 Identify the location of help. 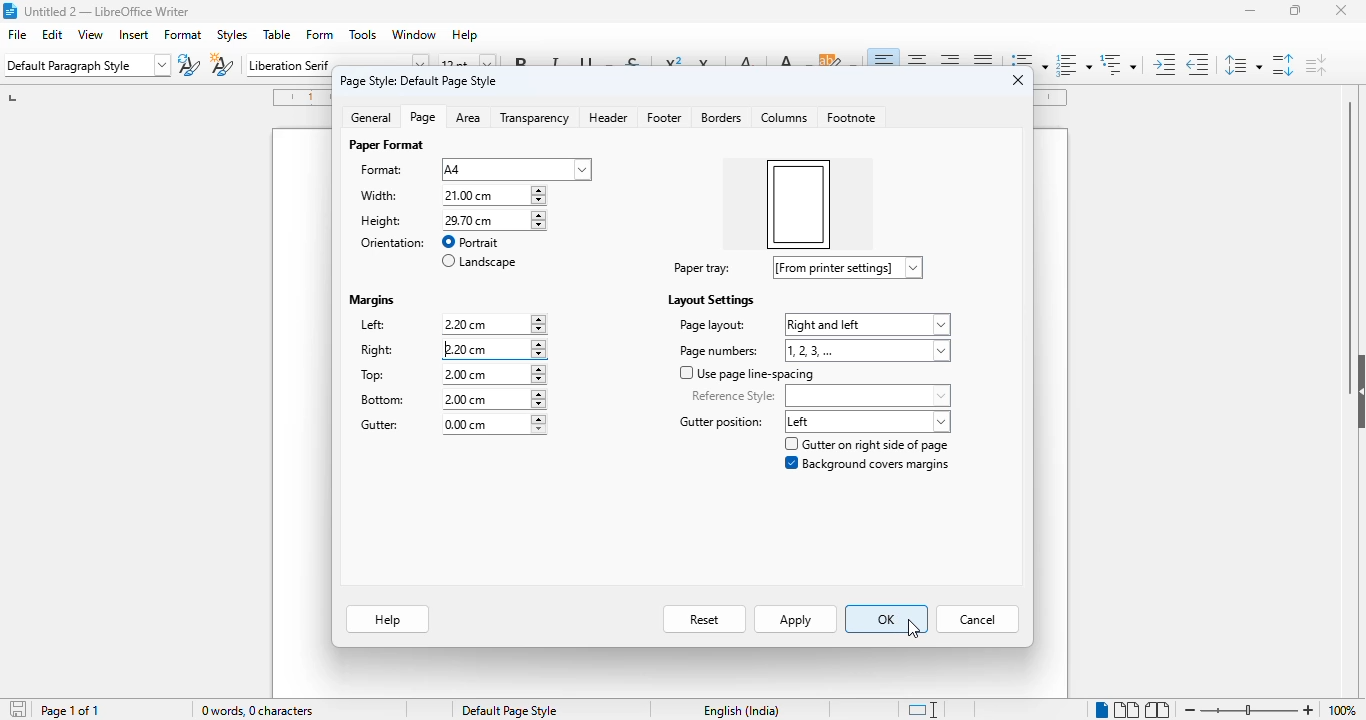
(465, 35).